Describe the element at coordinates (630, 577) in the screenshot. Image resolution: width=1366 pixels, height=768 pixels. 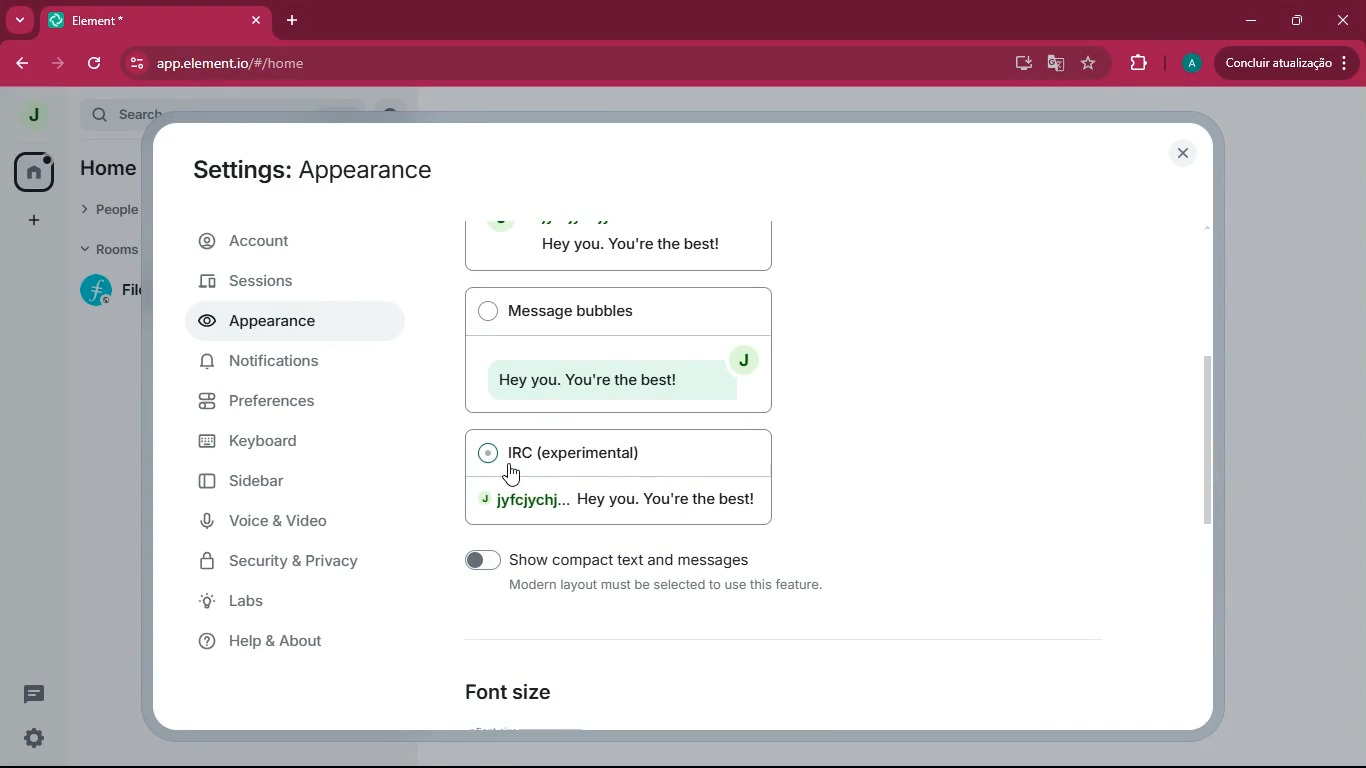
I see `show compact` at that location.